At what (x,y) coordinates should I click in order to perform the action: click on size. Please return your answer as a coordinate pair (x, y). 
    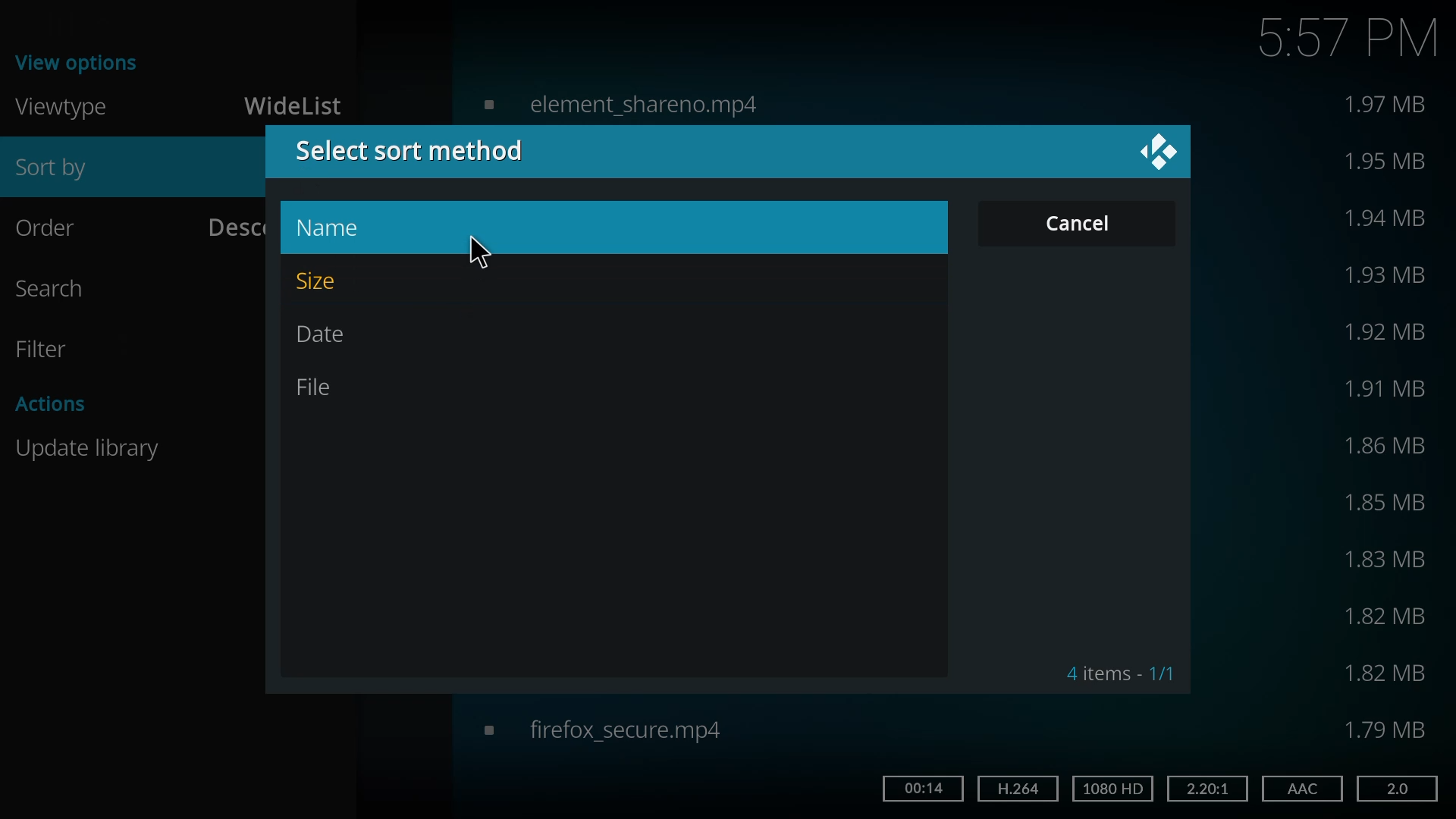
    Looking at the image, I should click on (1389, 105).